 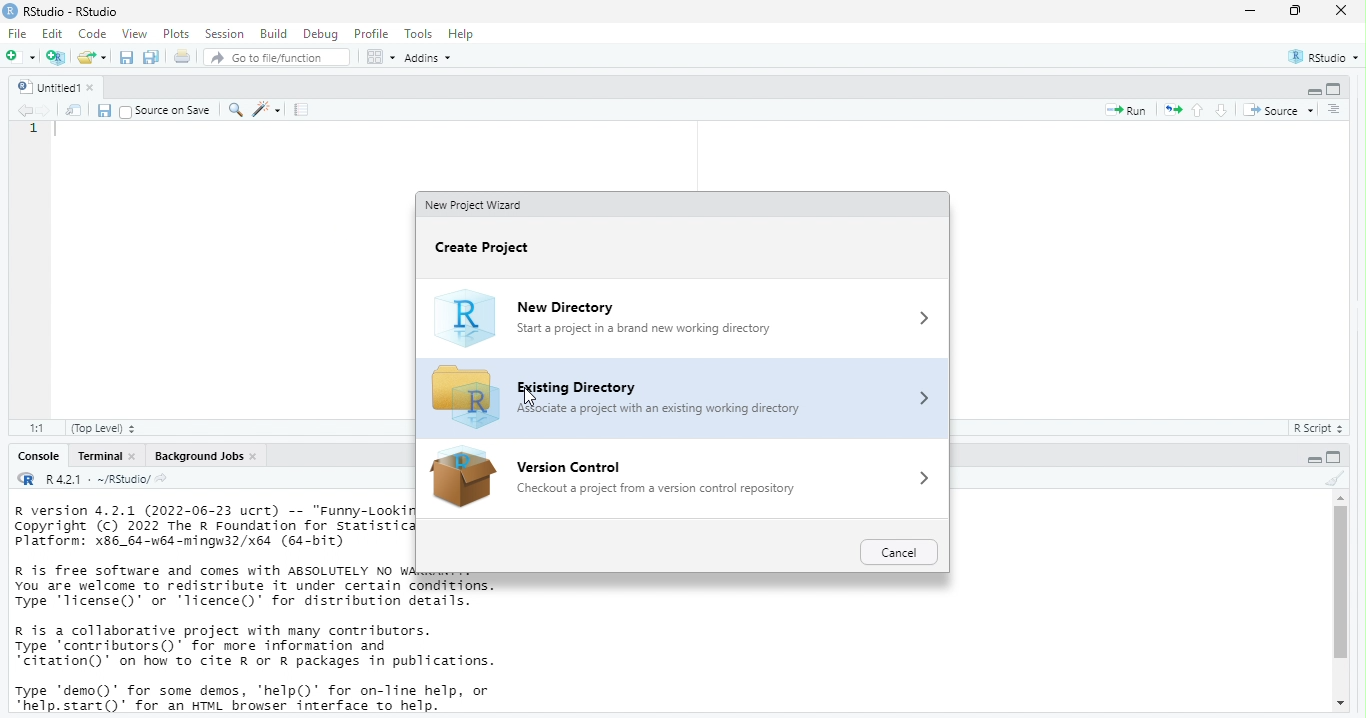 What do you see at coordinates (1342, 86) in the screenshot?
I see `maximize` at bounding box center [1342, 86].